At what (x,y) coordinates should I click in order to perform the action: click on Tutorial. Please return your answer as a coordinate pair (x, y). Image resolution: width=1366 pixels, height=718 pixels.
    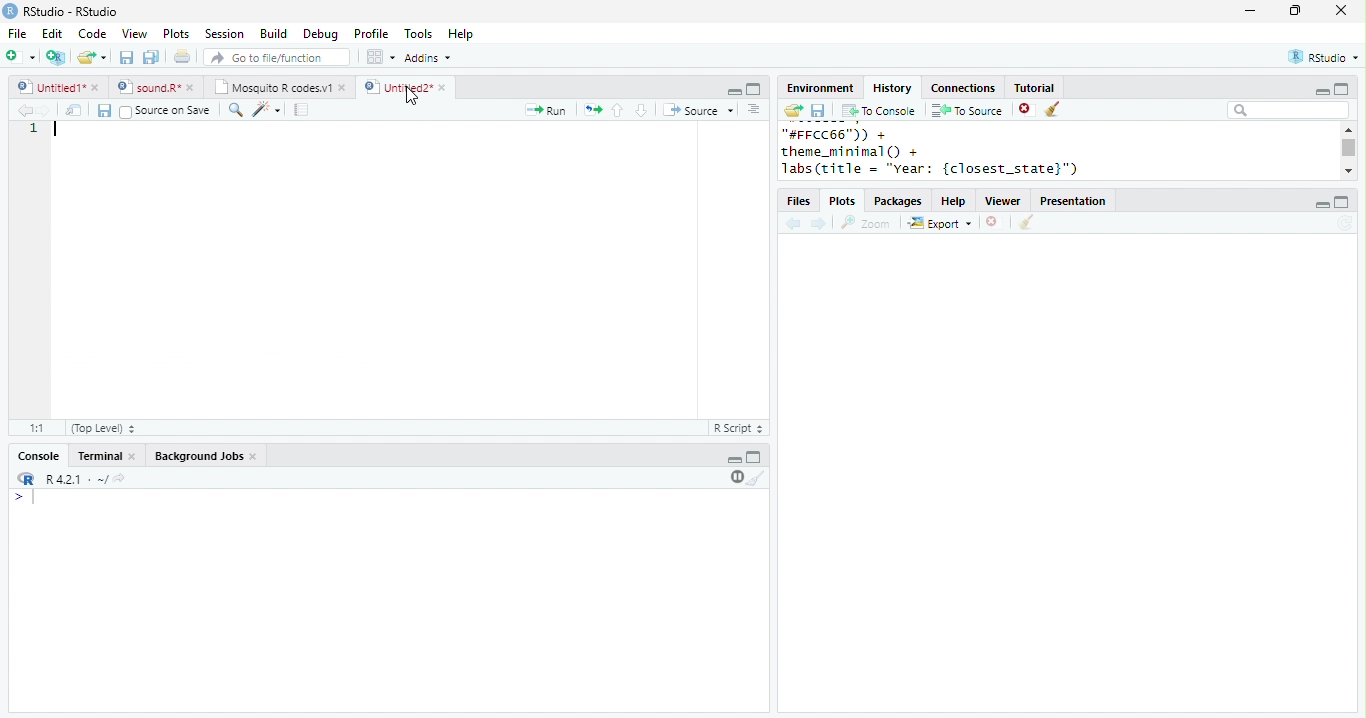
    Looking at the image, I should click on (1033, 87).